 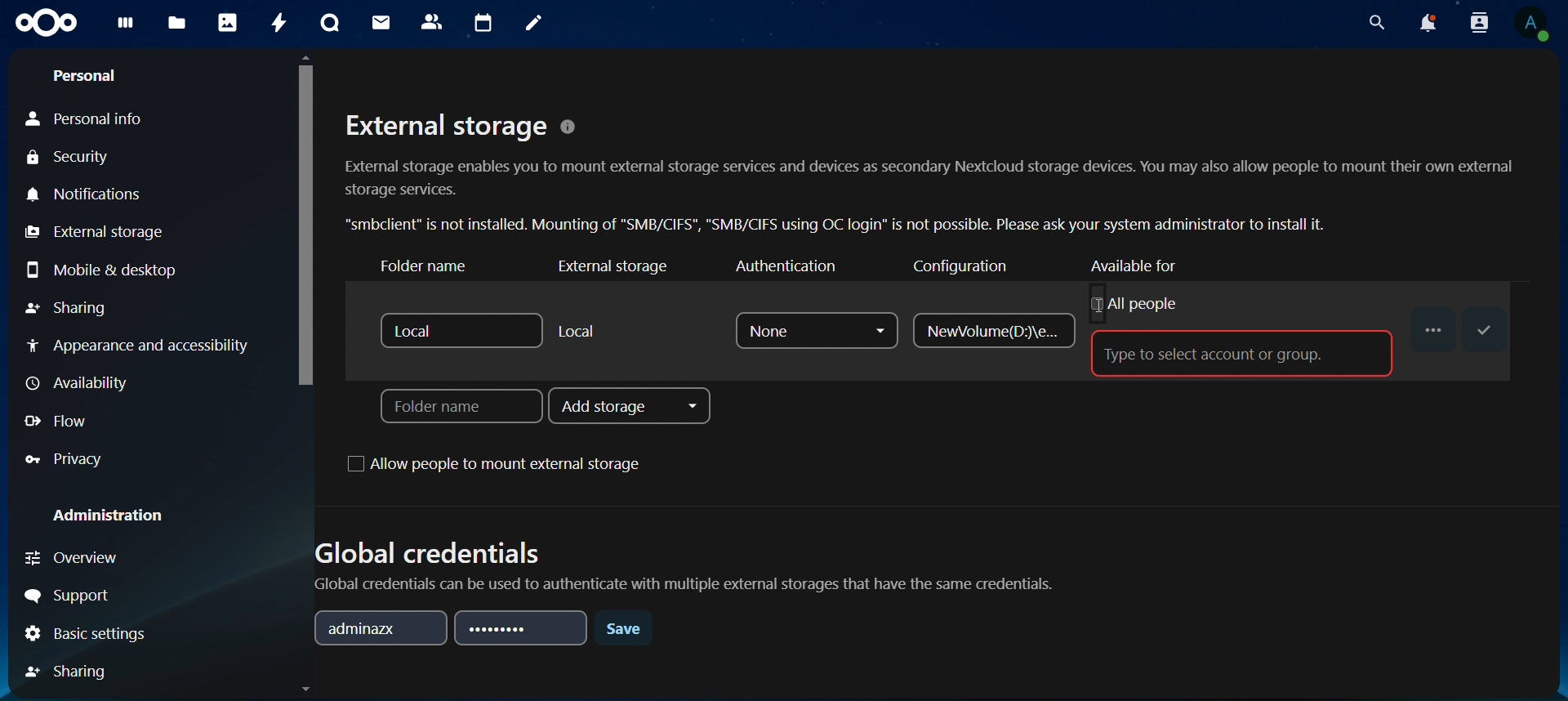 I want to click on dashboard, so click(x=127, y=26).